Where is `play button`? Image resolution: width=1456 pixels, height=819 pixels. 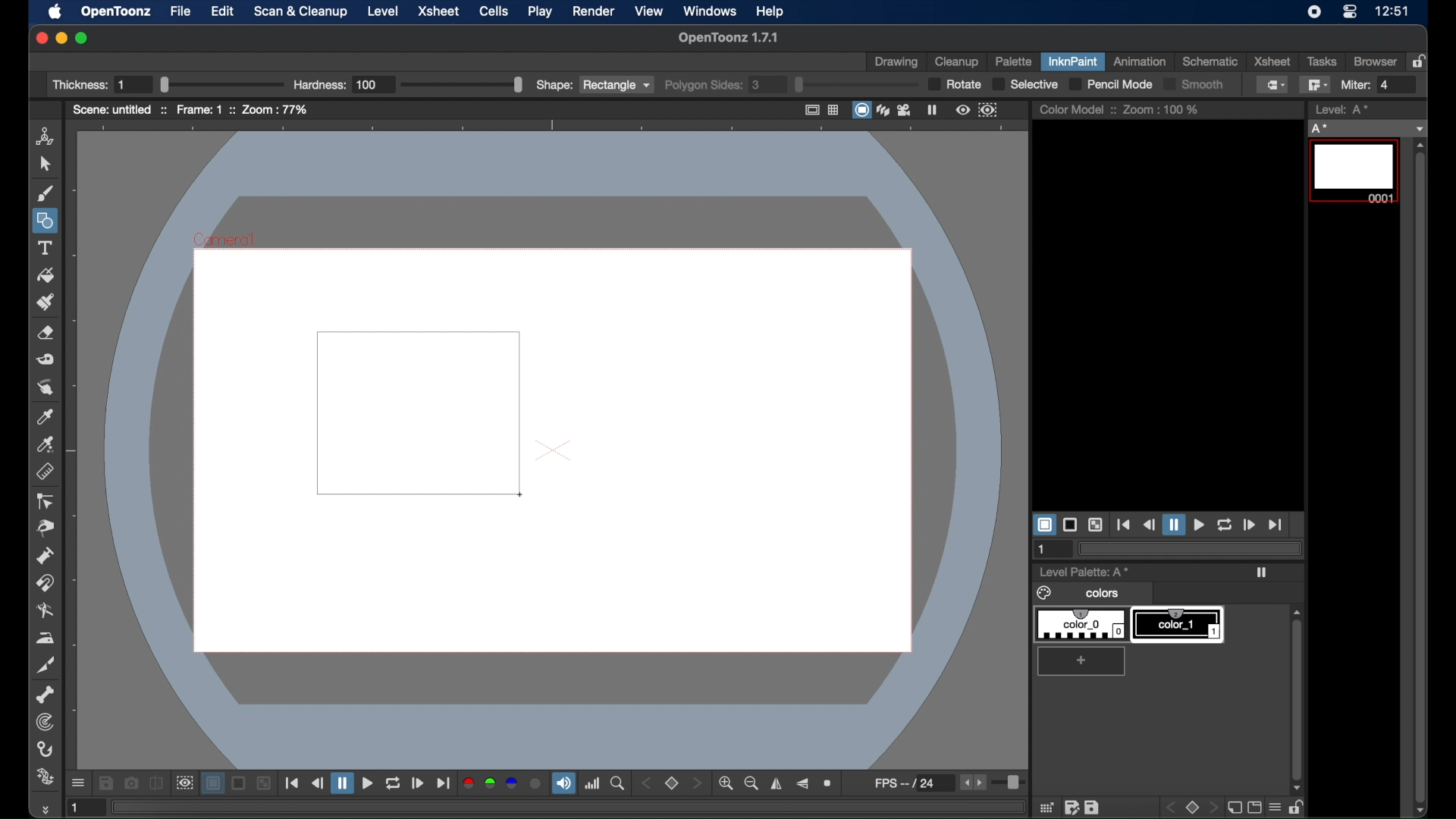 play button is located at coordinates (368, 784).